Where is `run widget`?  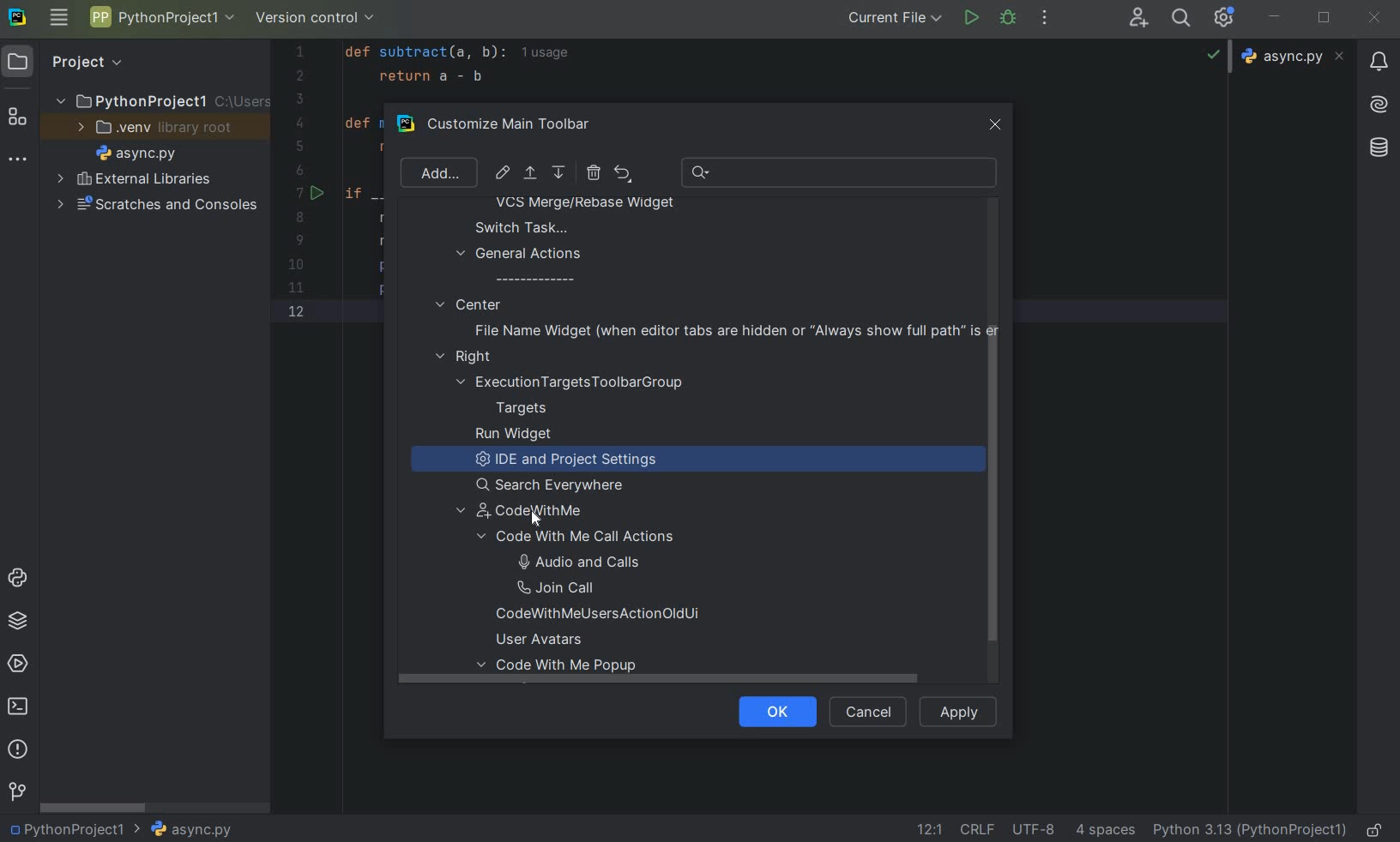
run widget is located at coordinates (514, 435).